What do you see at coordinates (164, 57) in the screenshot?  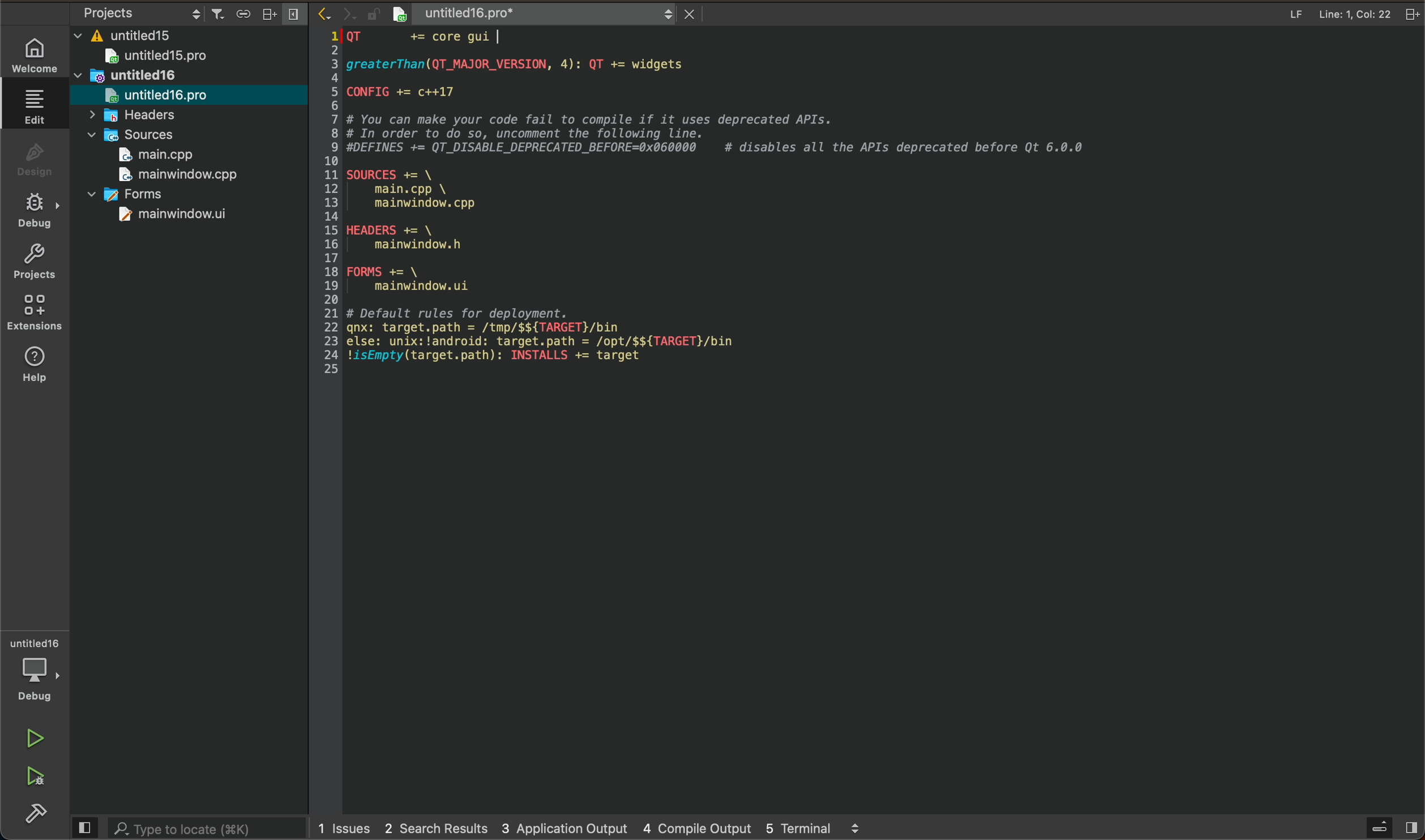 I see `untitled15pro` at bounding box center [164, 57].